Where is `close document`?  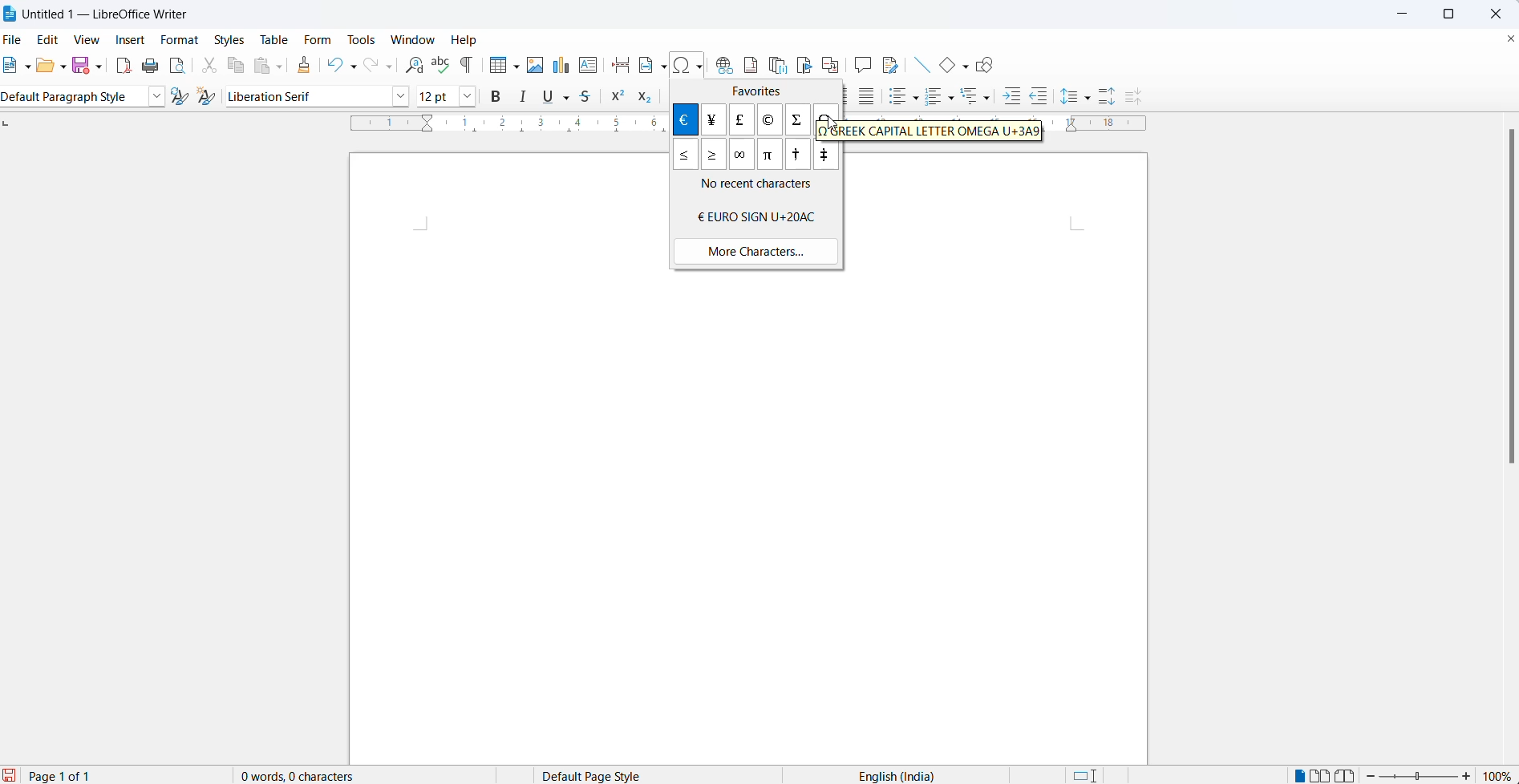 close document is located at coordinates (1509, 40).